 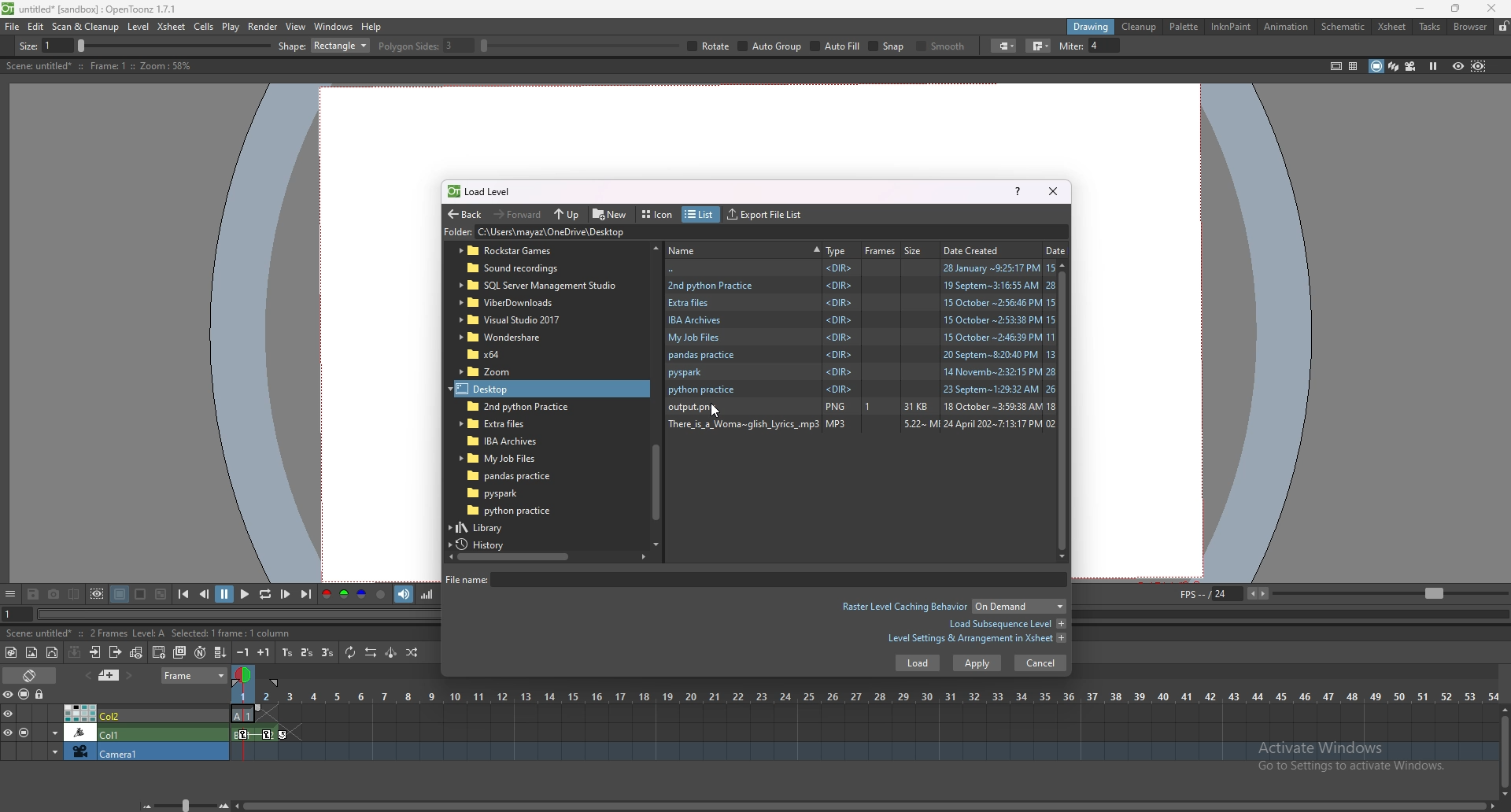 I want to click on size, so click(x=917, y=249).